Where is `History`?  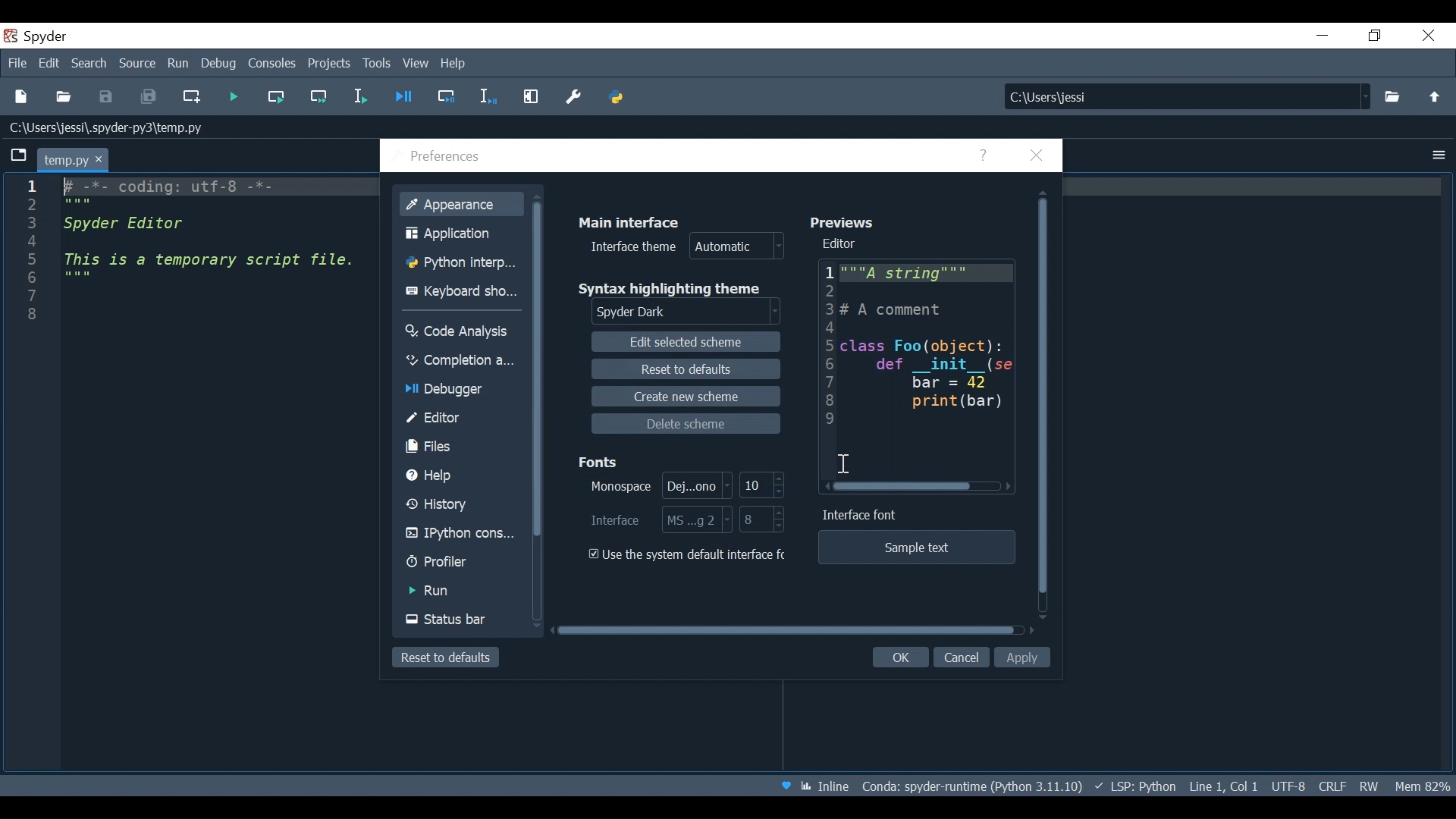
History is located at coordinates (461, 504).